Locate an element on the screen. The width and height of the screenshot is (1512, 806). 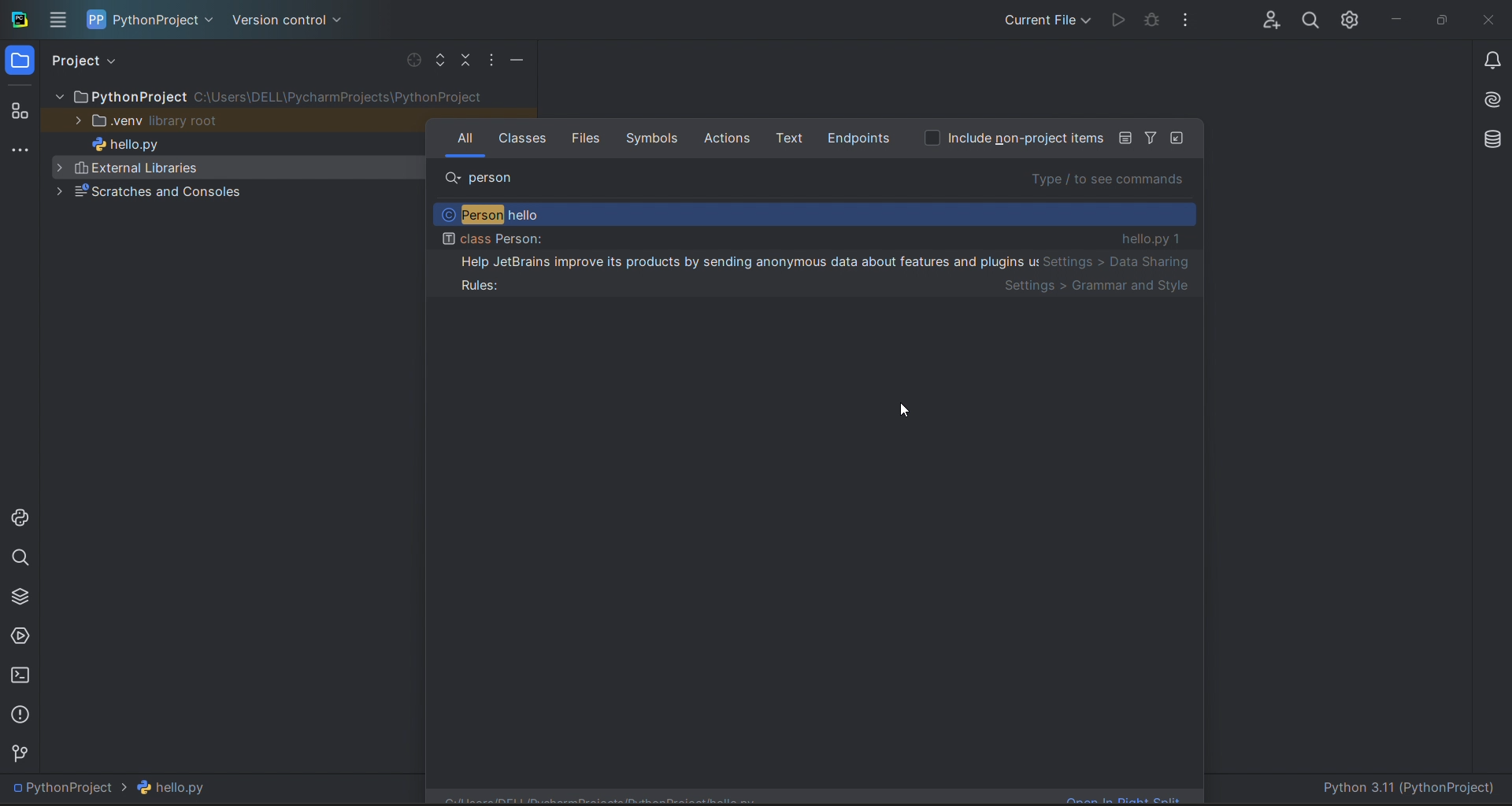
debug is located at coordinates (1152, 18).